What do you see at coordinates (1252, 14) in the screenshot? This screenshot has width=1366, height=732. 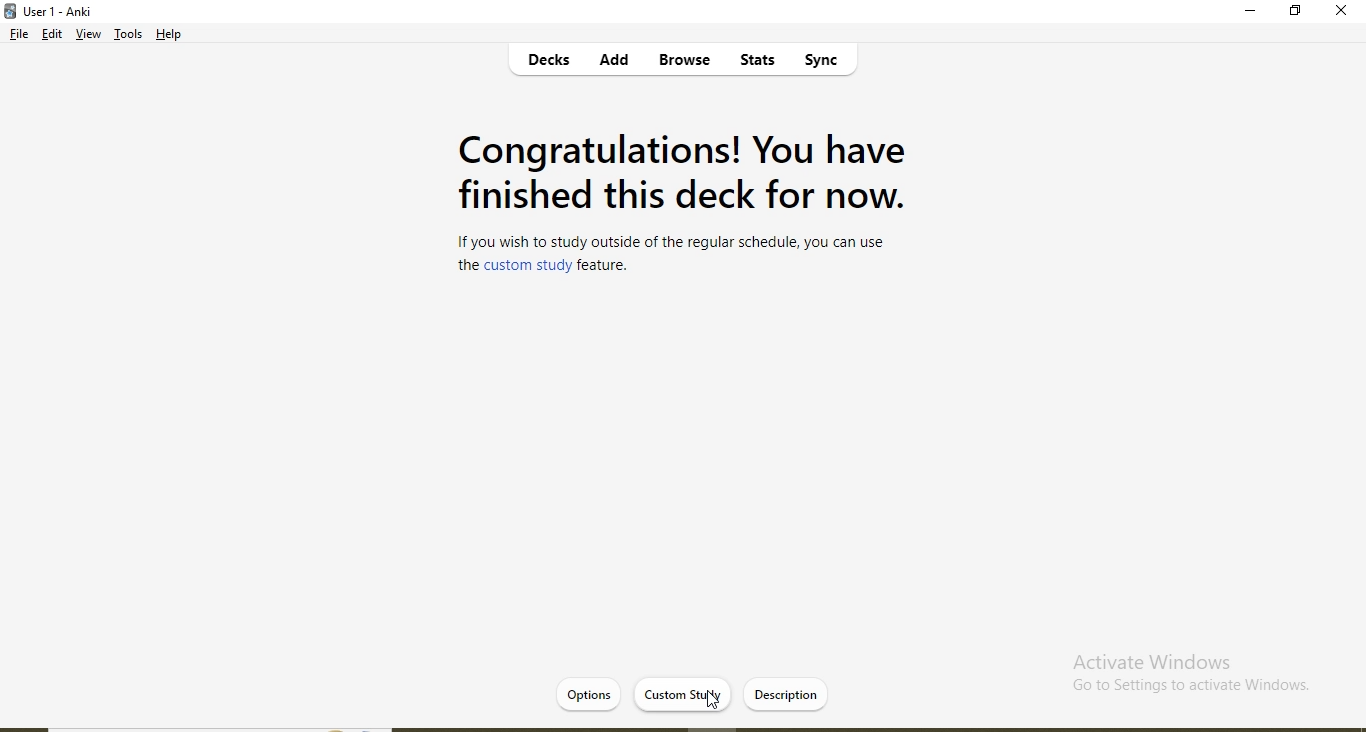 I see `minimise` at bounding box center [1252, 14].